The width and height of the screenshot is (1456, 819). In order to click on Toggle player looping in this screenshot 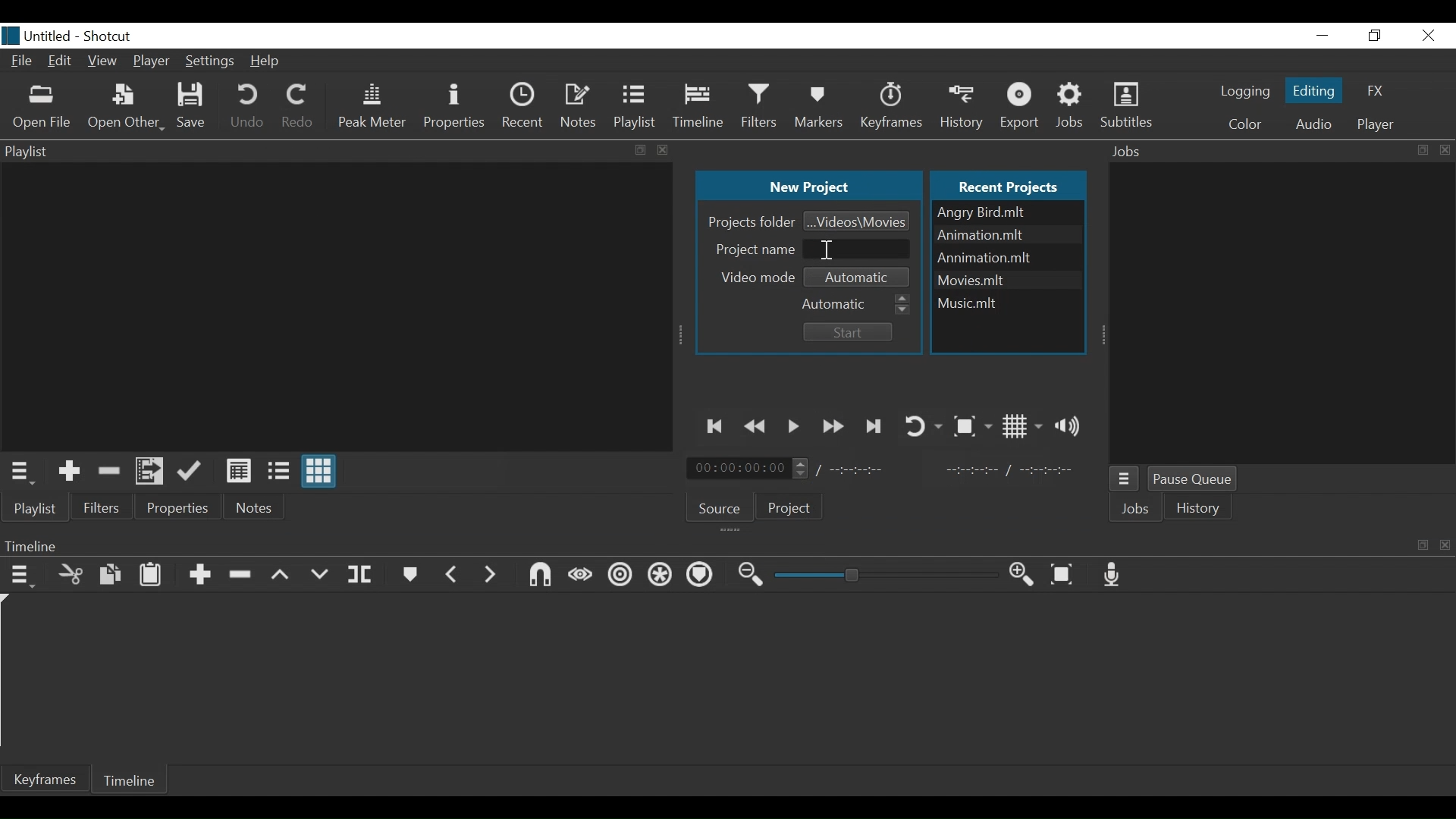, I will do `click(922, 425)`.